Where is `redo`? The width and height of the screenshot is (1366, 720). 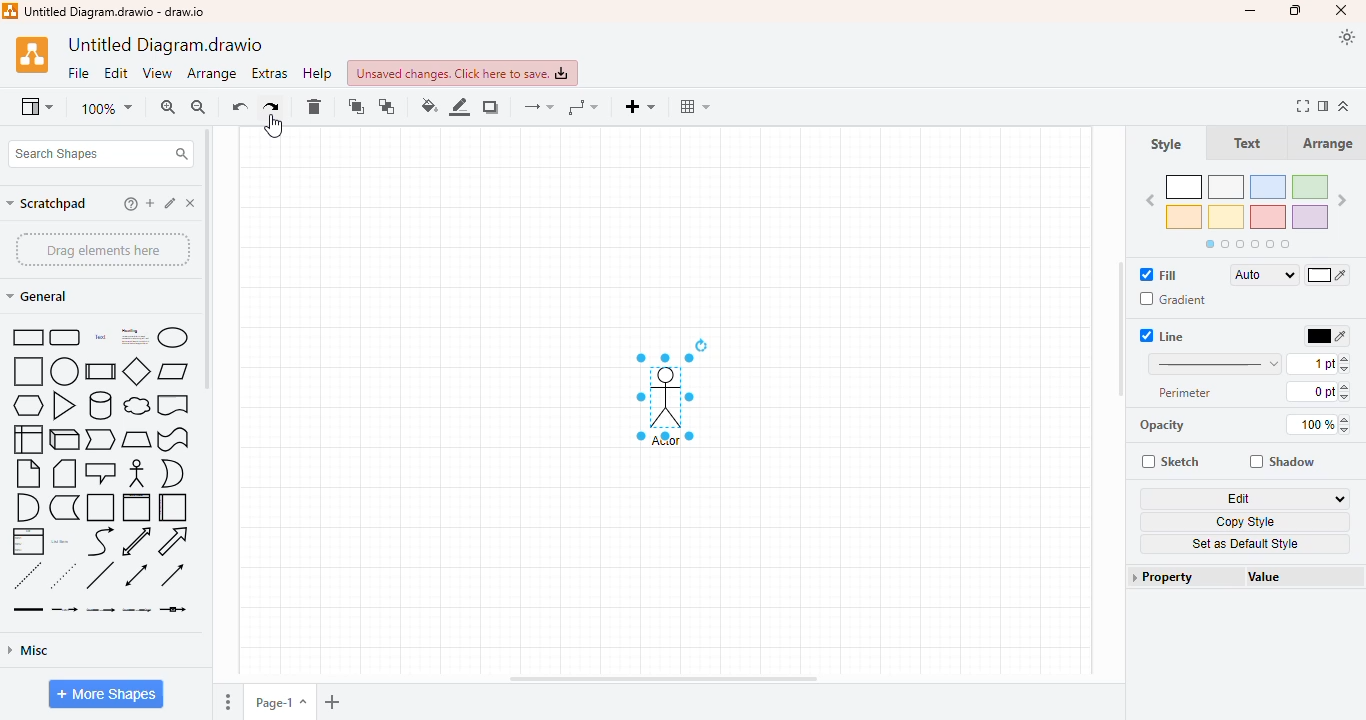 redo is located at coordinates (272, 106).